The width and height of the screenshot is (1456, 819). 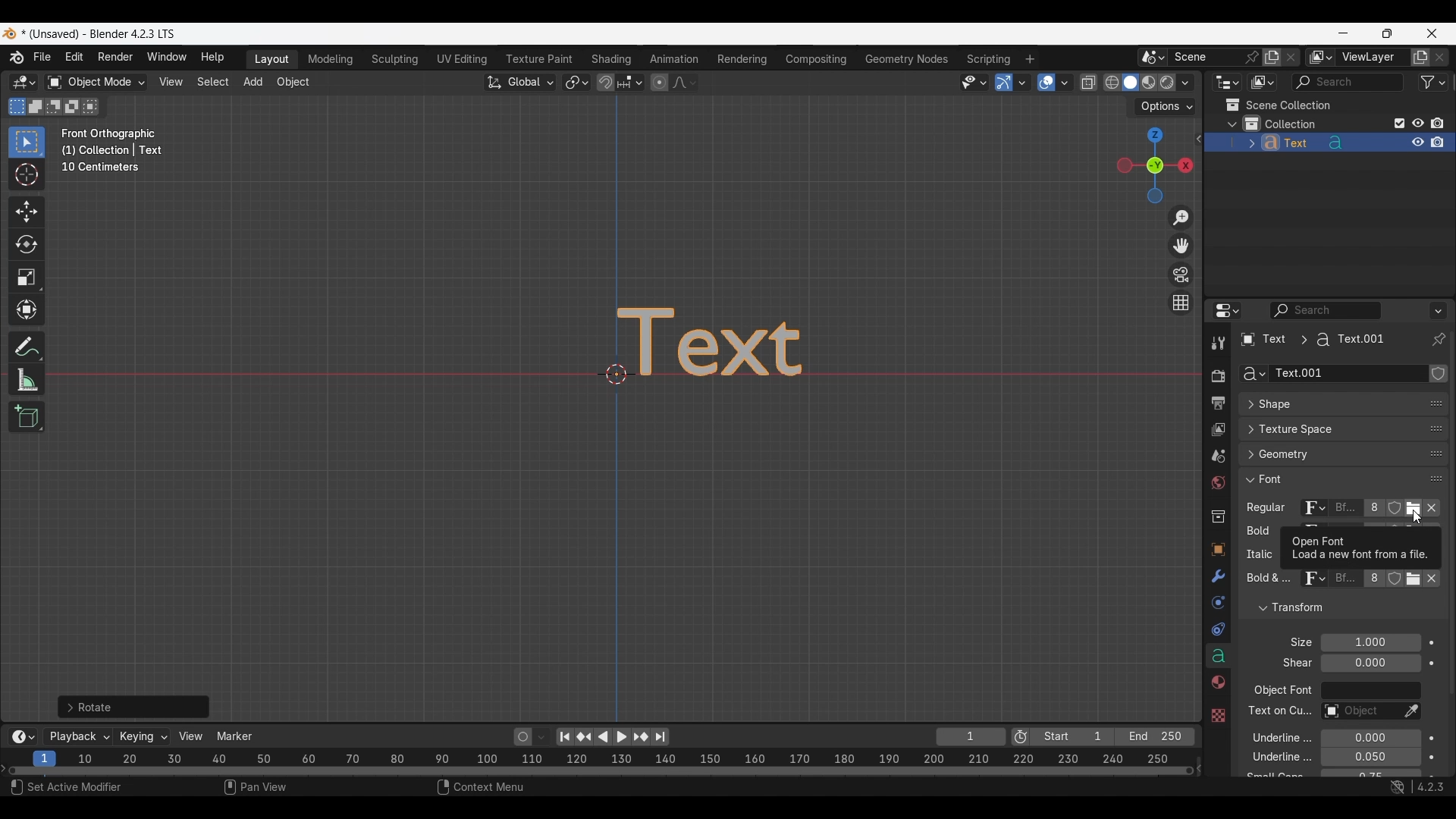 I want to click on Object font, so click(x=1370, y=691).